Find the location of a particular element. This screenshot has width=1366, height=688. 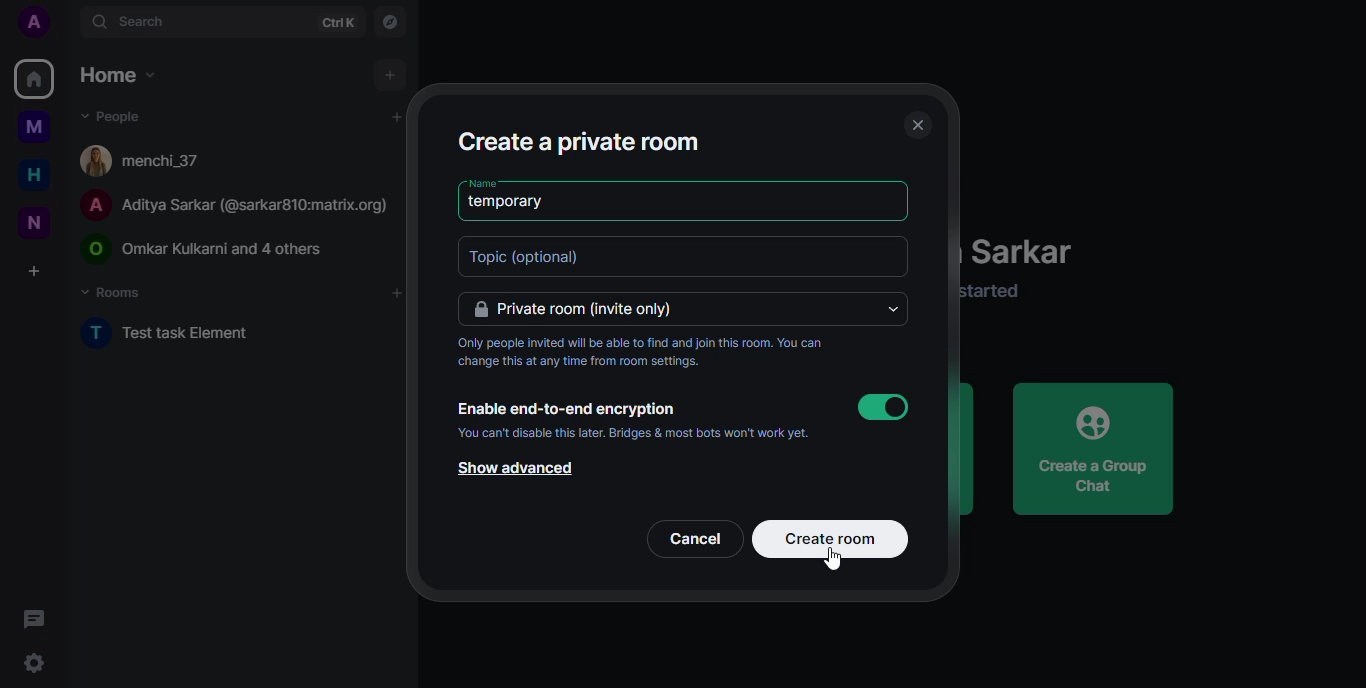

new is located at coordinates (31, 221).